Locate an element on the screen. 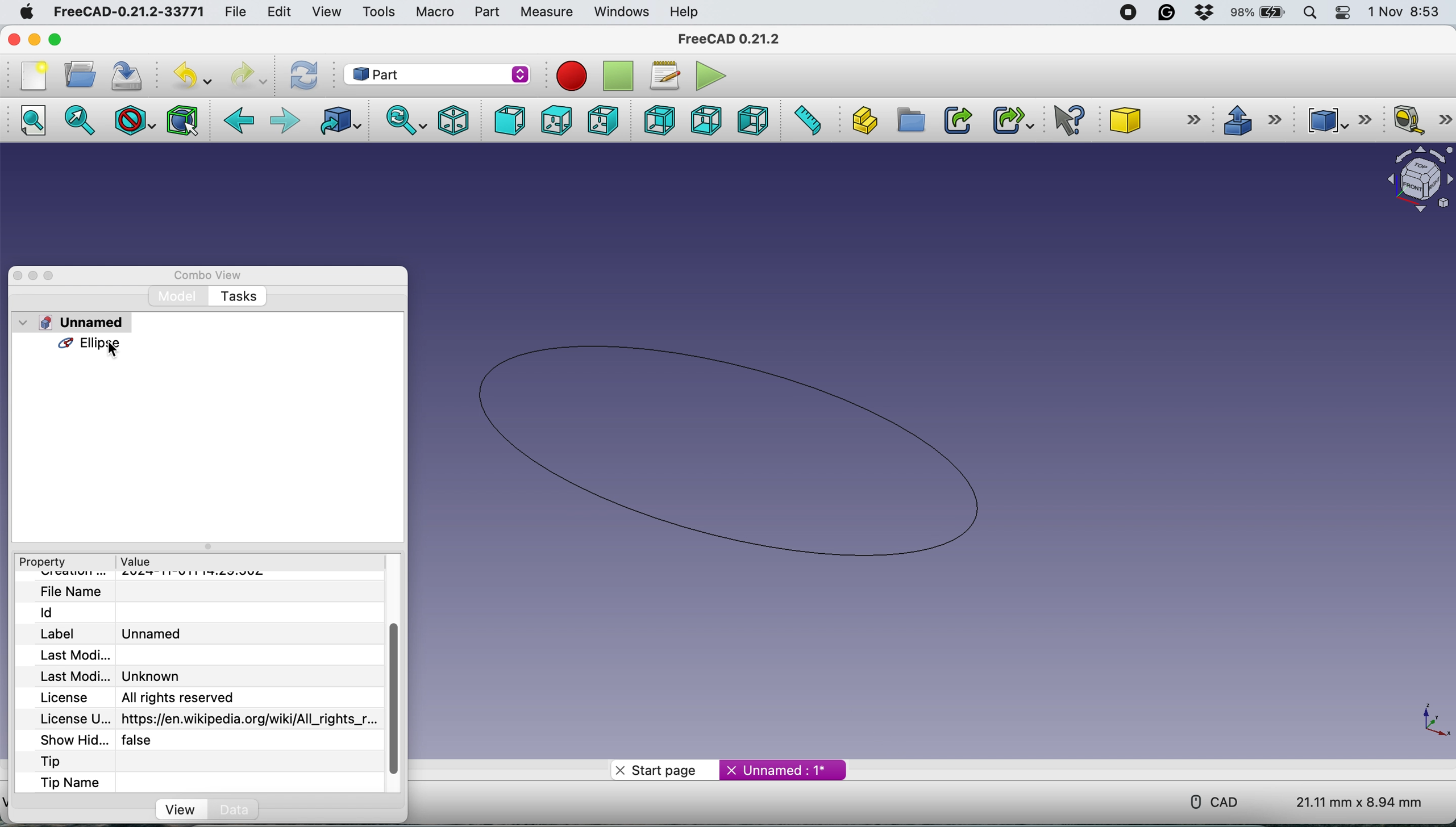  bounding box is located at coordinates (181, 120).